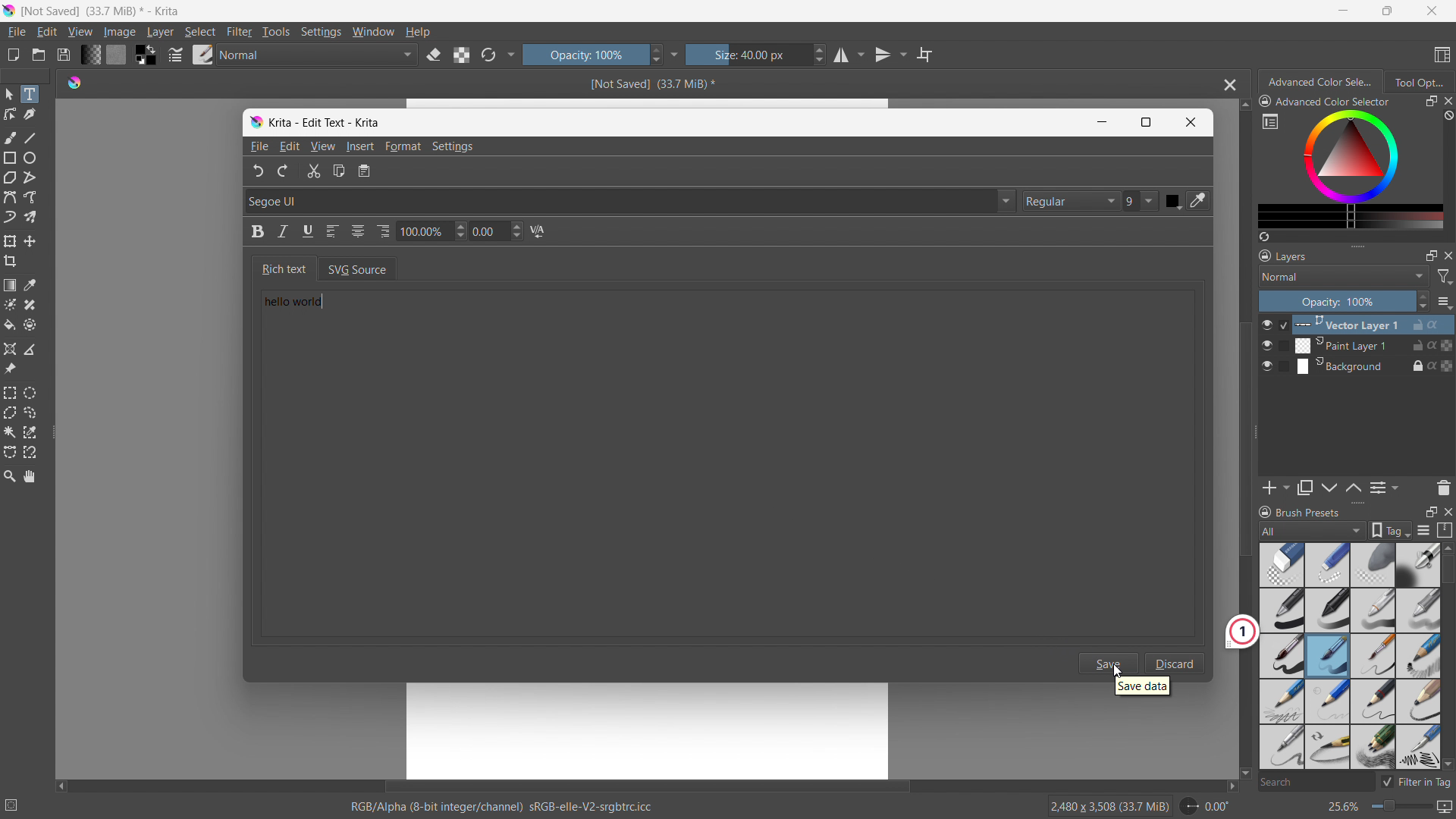  What do you see at coordinates (9, 325) in the screenshot?
I see `fill a contiguous area of color with a color` at bounding box center [9, 325].